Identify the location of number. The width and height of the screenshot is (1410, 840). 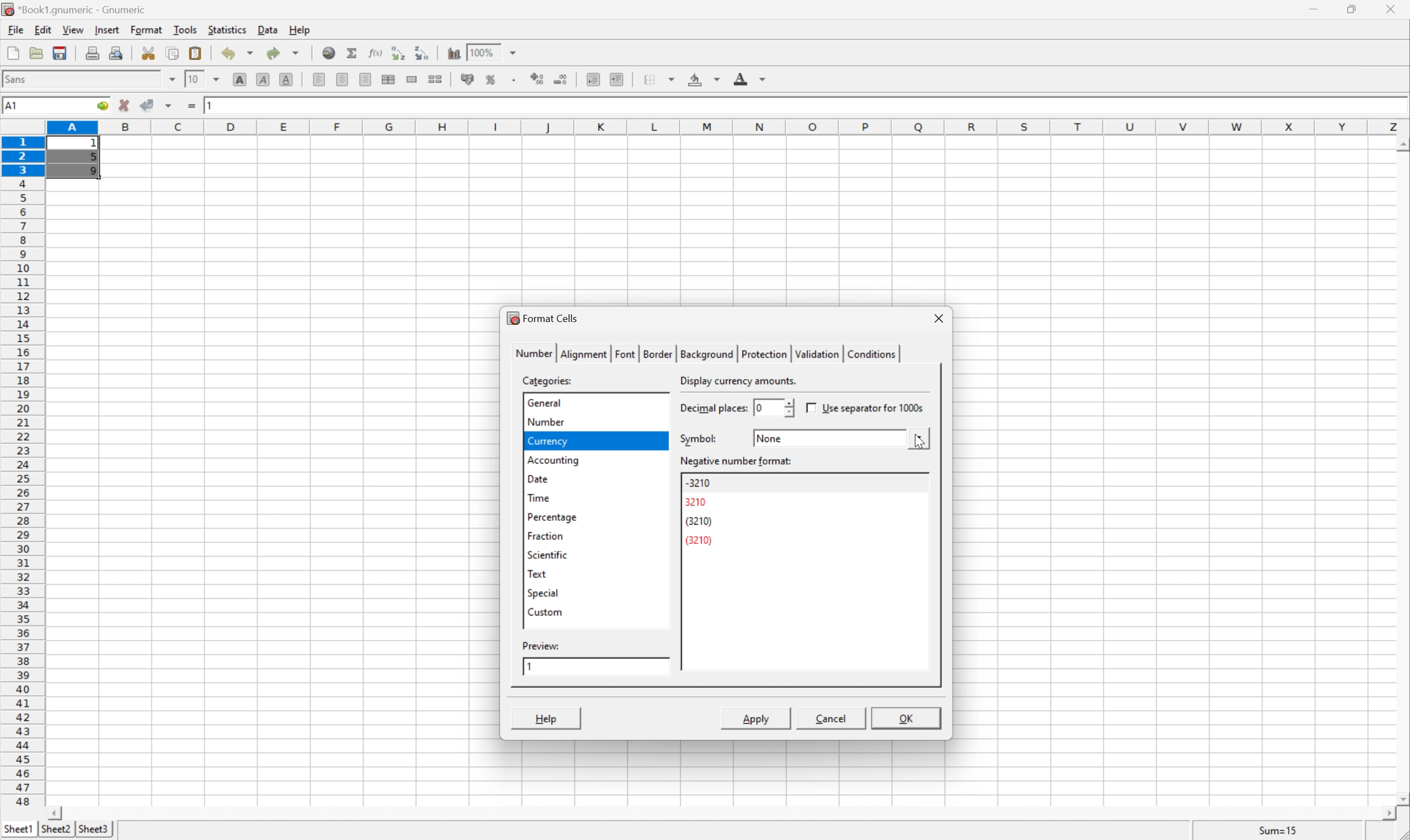
(533, 352).